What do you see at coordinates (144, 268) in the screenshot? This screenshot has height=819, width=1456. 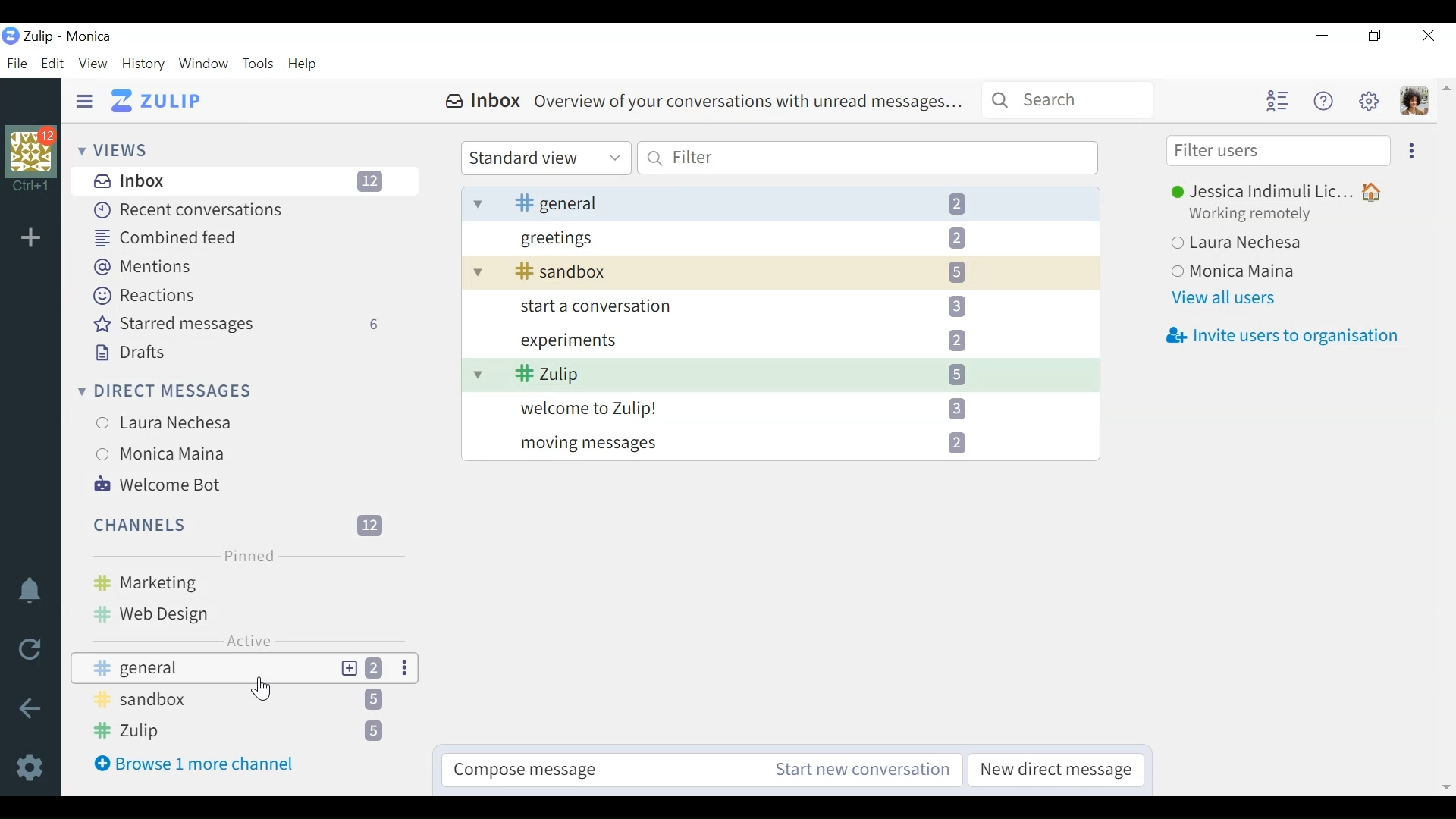 I see `Mentions` at bounding box center [144, 268].